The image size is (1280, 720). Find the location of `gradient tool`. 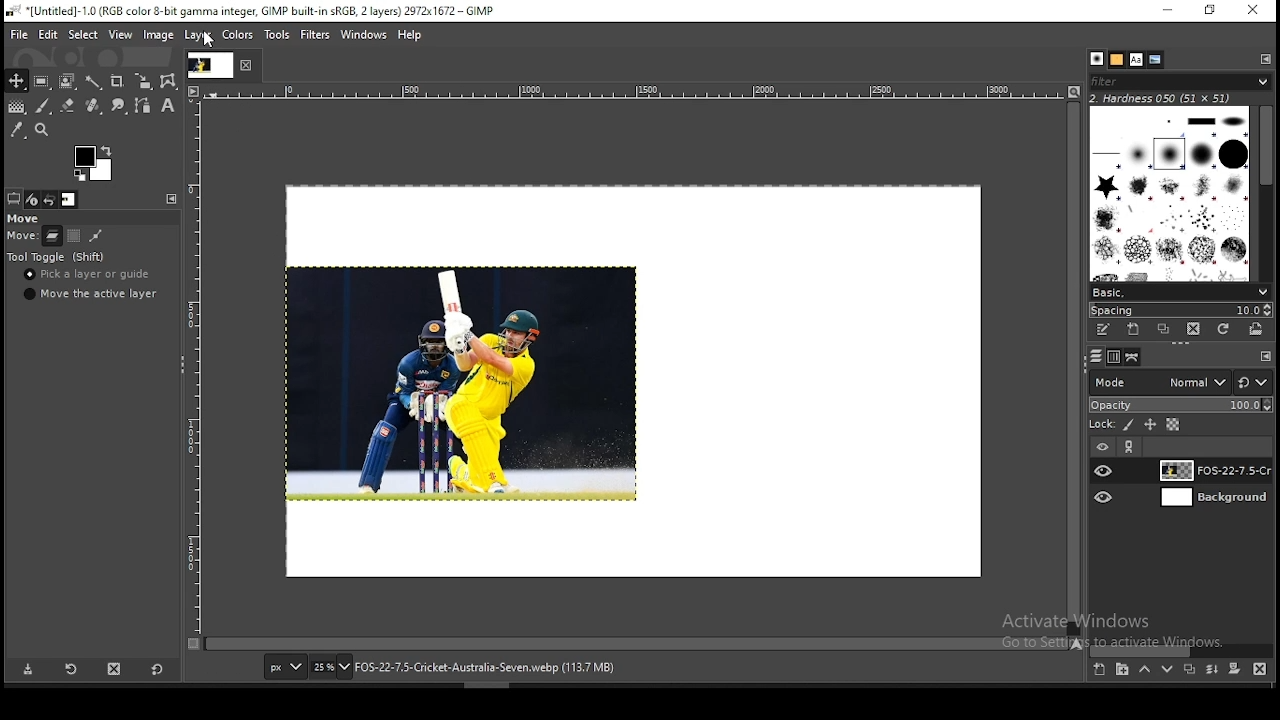

gradient tool is located at coordinates (16, 108).